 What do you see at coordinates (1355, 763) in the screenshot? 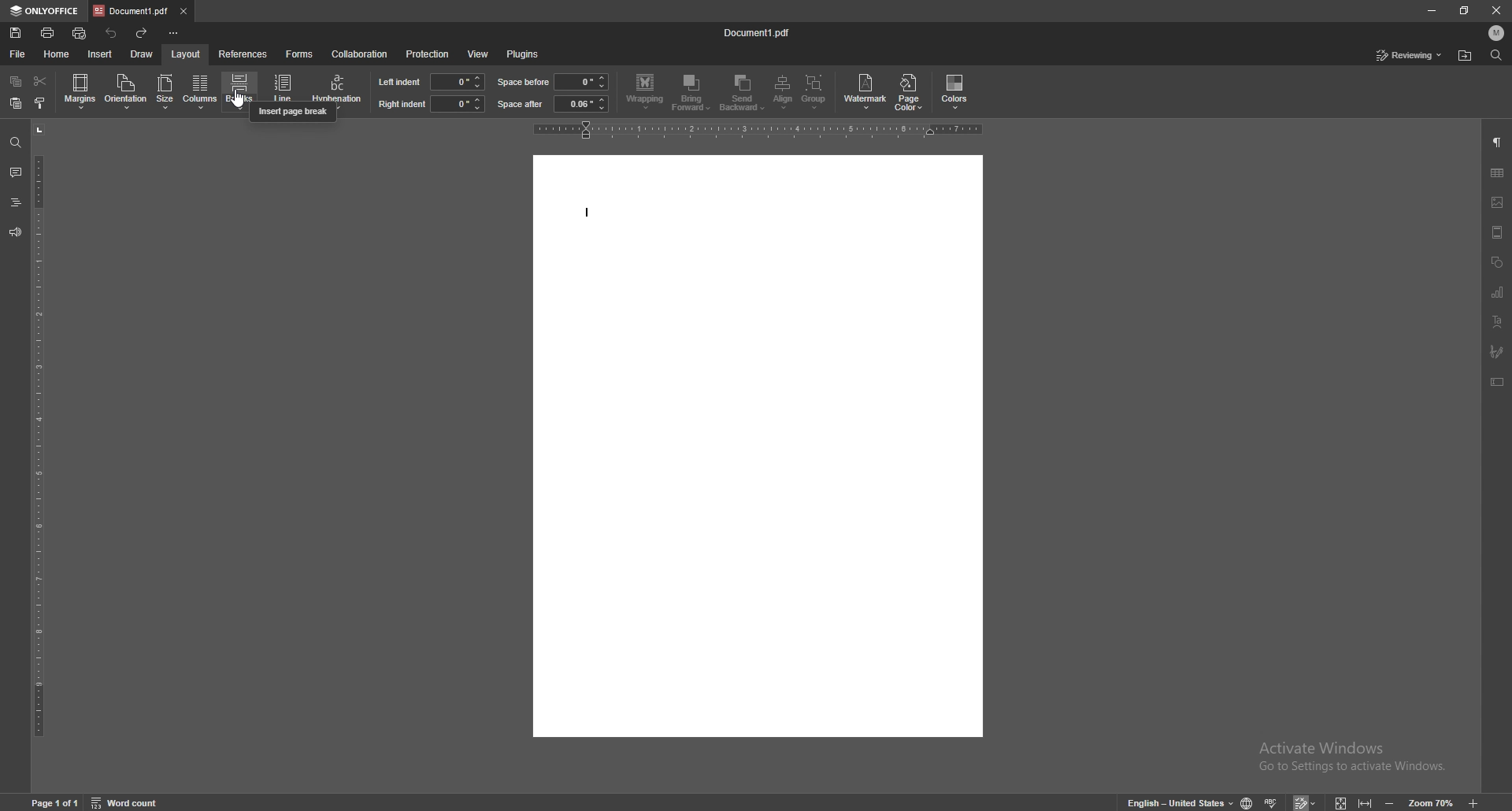
I see `Activate Windows
Go to Settings to activate Windows.` at bounding box center [1355, 763].